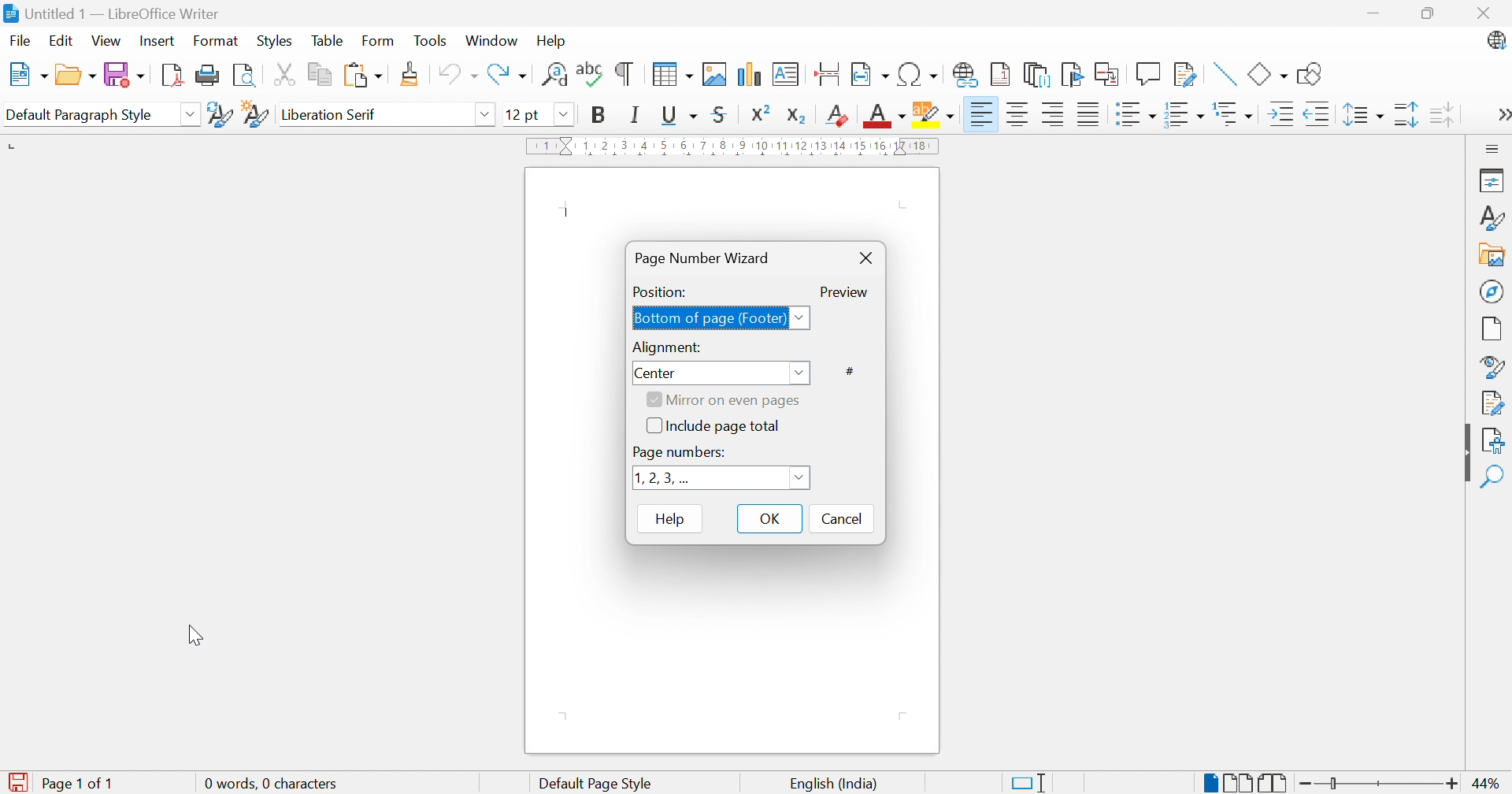  Describe the element at coordinates (1495, 40) in the screenshot. I see `LibreOffice Update available.` at that location.